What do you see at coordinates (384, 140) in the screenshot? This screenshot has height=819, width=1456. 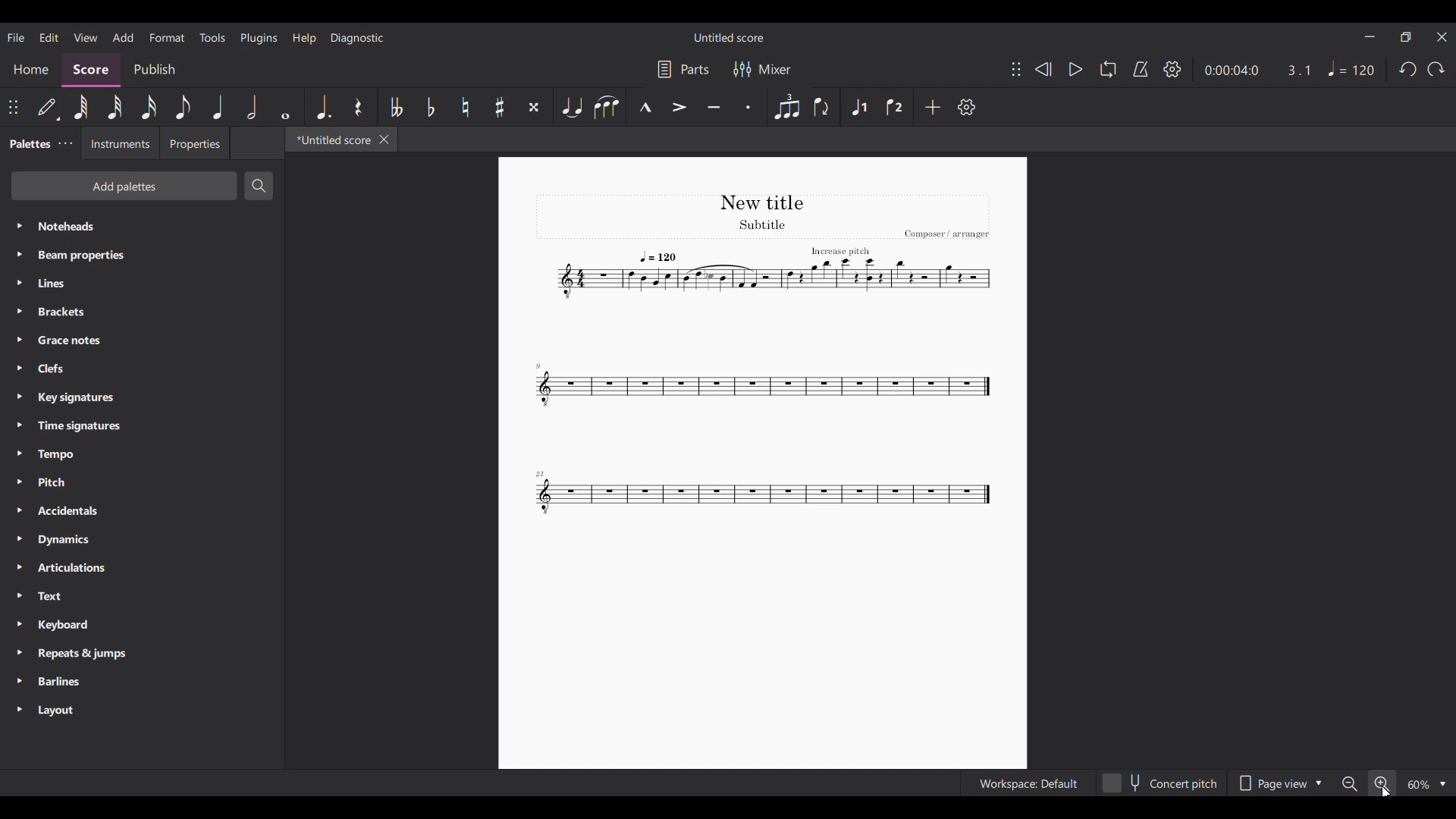 I see `Close tab` at bounding box center [384, 140].